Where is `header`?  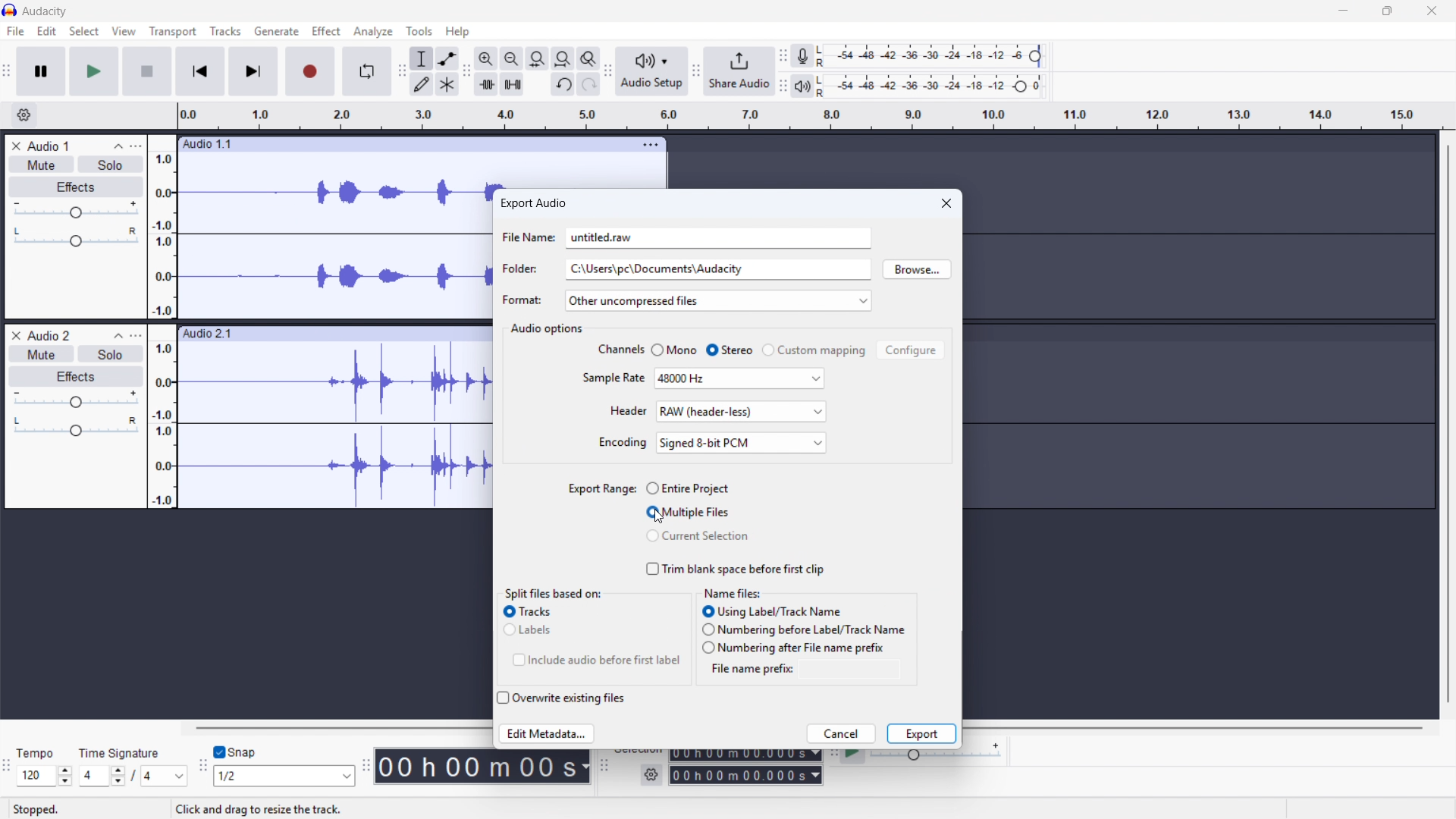 header is located at coordinates (628, 411).